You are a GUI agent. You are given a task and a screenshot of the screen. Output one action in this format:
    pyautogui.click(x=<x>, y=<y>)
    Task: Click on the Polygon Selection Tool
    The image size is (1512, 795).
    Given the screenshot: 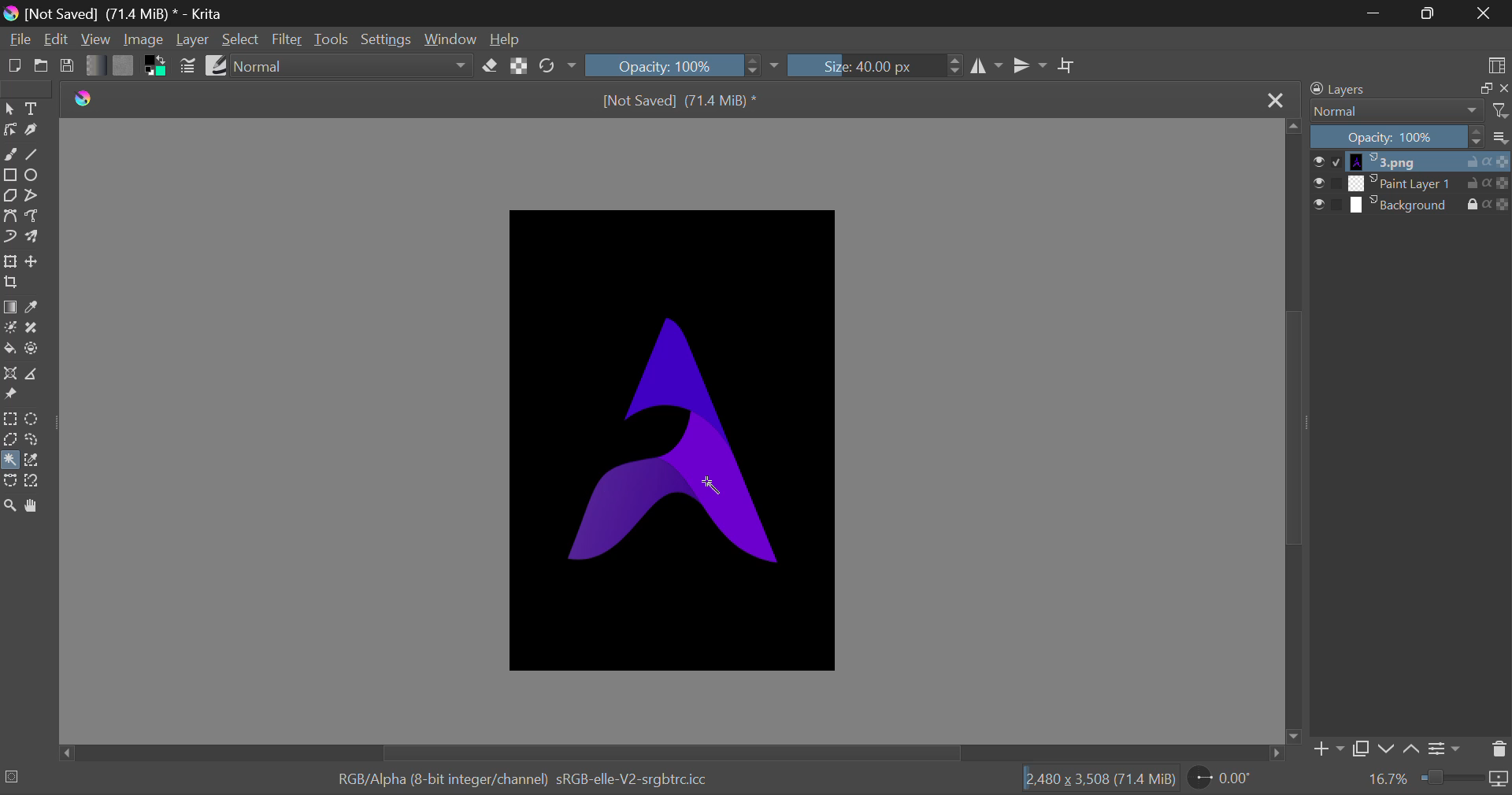 What is the action you would take?
    pyautogui.click(x=9, y=441)
    